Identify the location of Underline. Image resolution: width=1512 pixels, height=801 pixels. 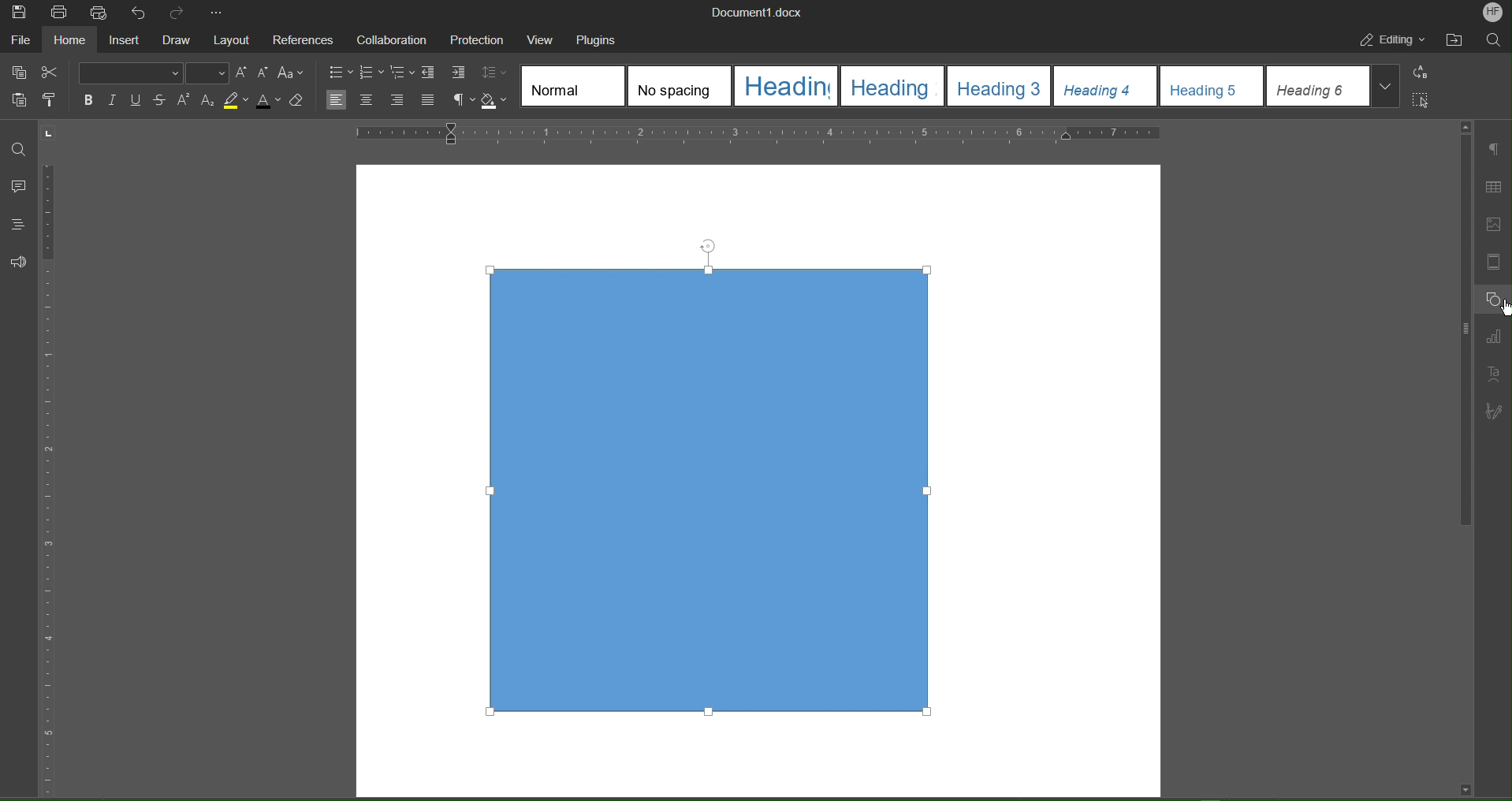
(140, 100).